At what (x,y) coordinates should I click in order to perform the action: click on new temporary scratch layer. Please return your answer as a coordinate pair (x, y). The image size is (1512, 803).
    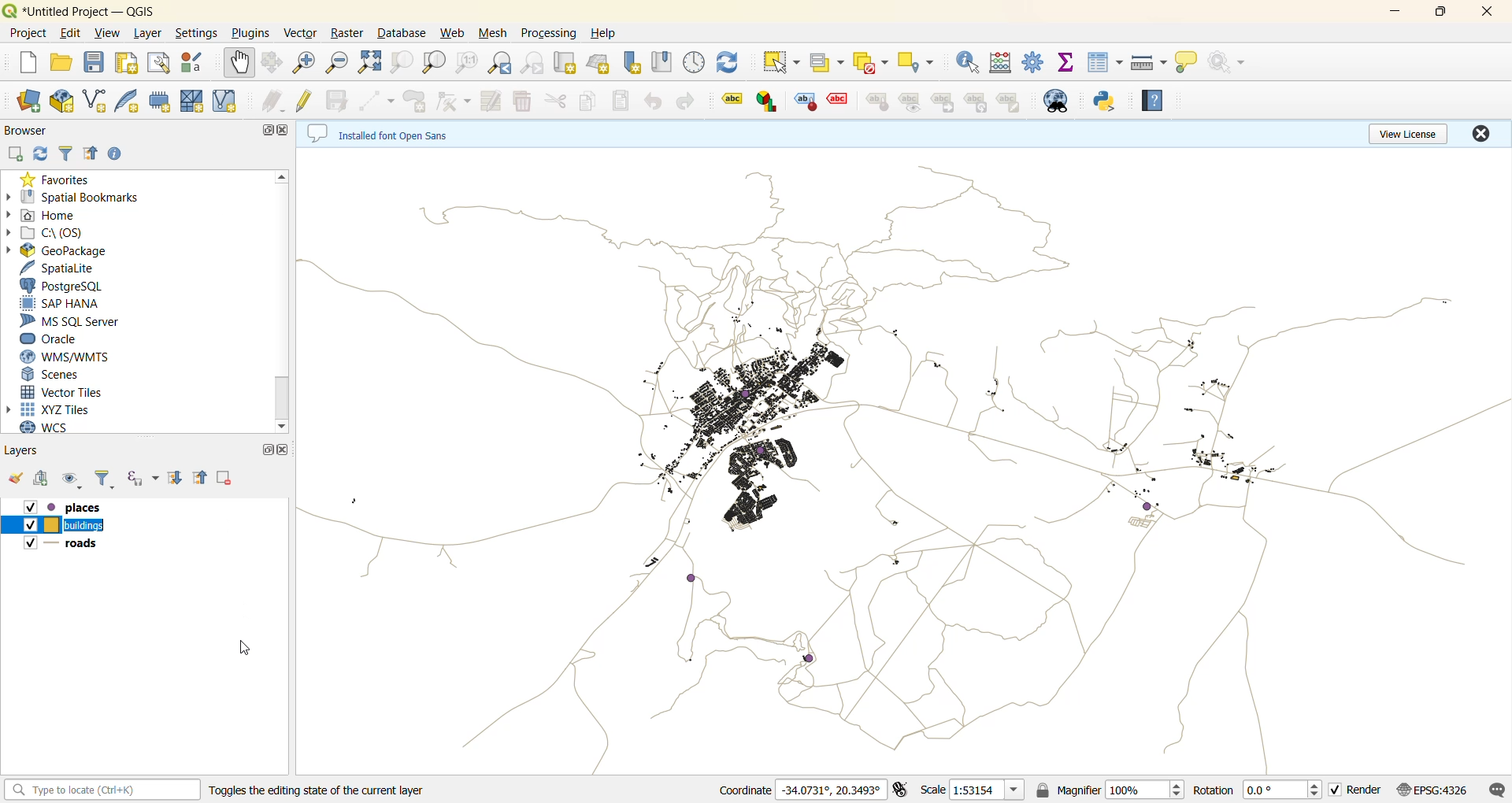
    Looking at the image, I should click on (161, 102).